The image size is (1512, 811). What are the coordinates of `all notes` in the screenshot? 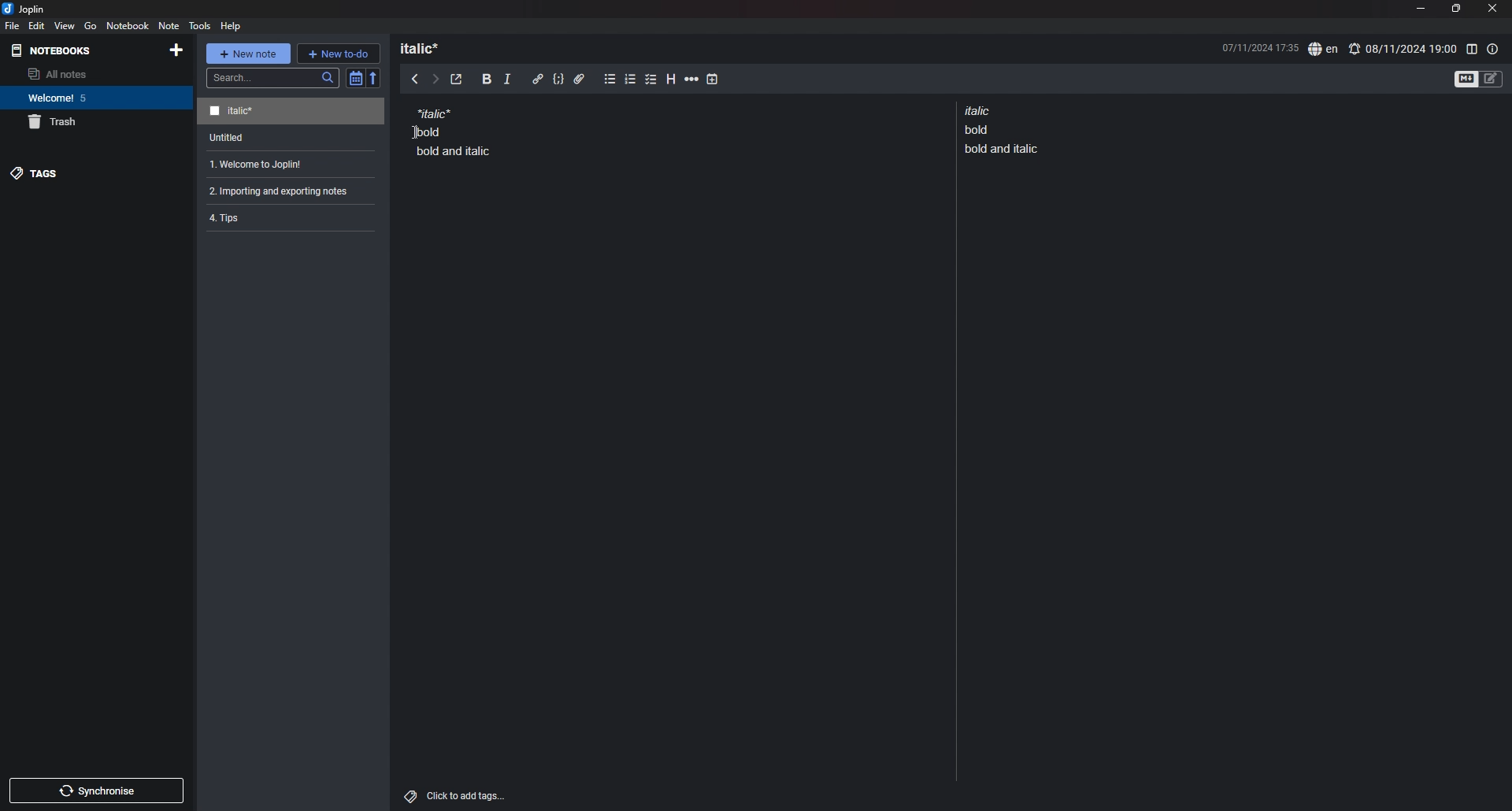 It's located at (92, 74).